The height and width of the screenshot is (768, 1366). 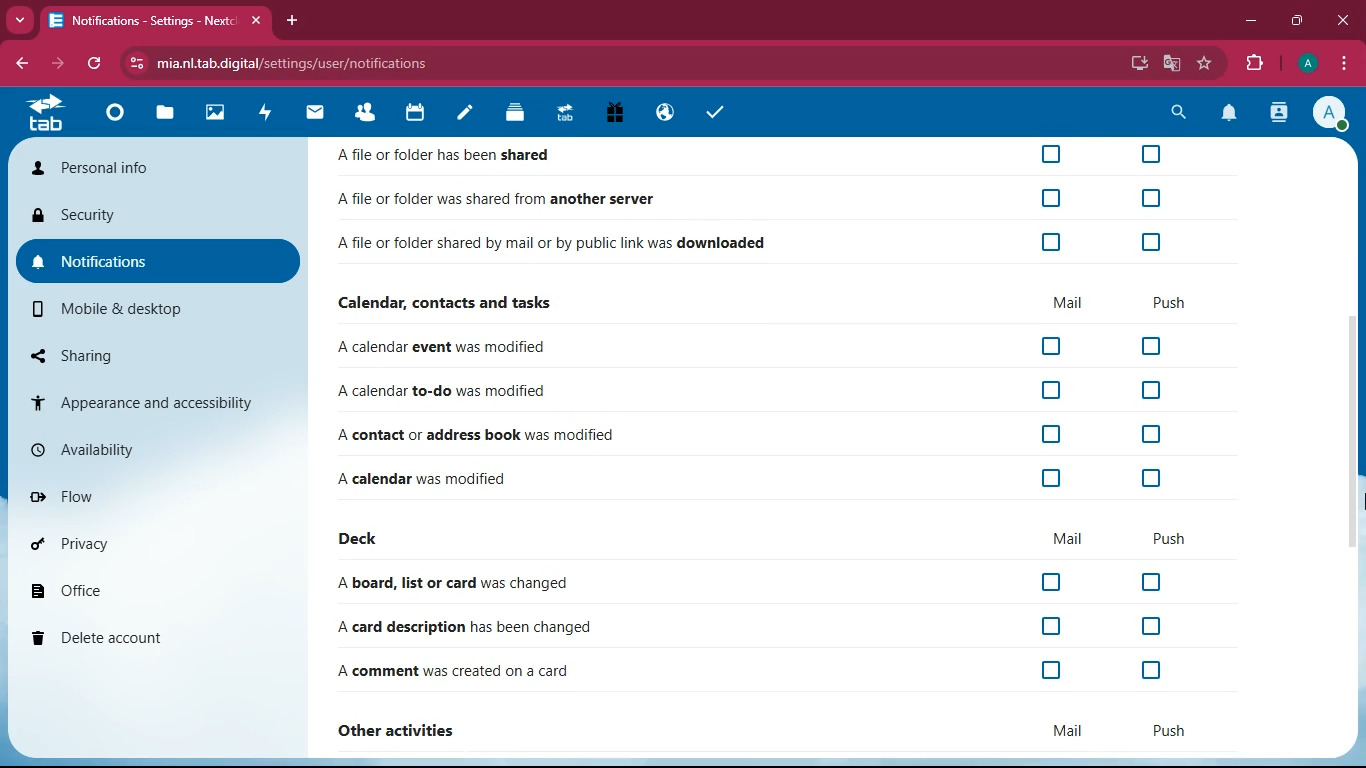 What do you see at coordinates (415, 115) in the screenshot?
I see `calendar` at bounding box center [415, 115].